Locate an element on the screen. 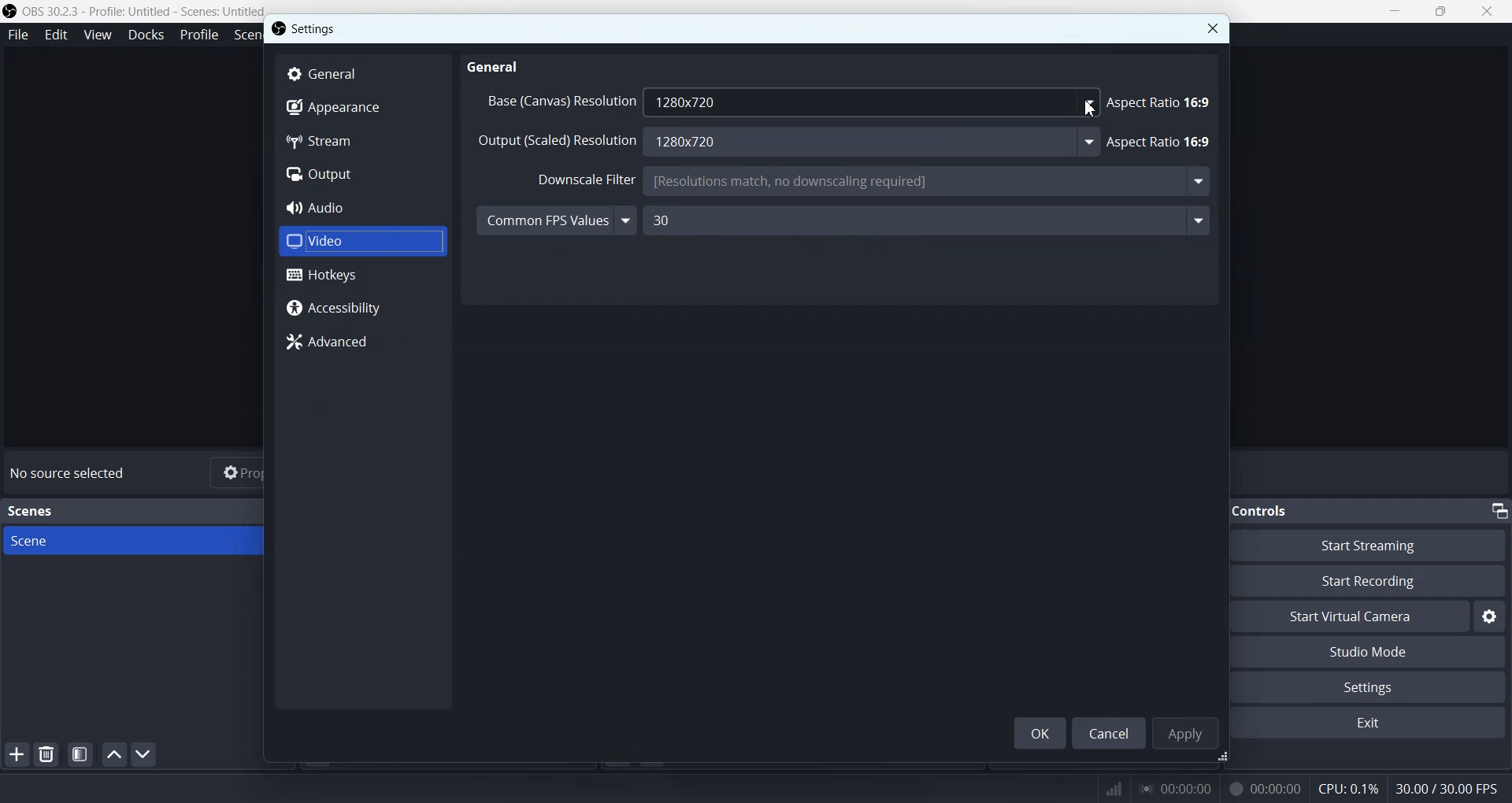 This screenshot has height=803, width=1512. Window adjuster is located at coordinates (1225, 759).